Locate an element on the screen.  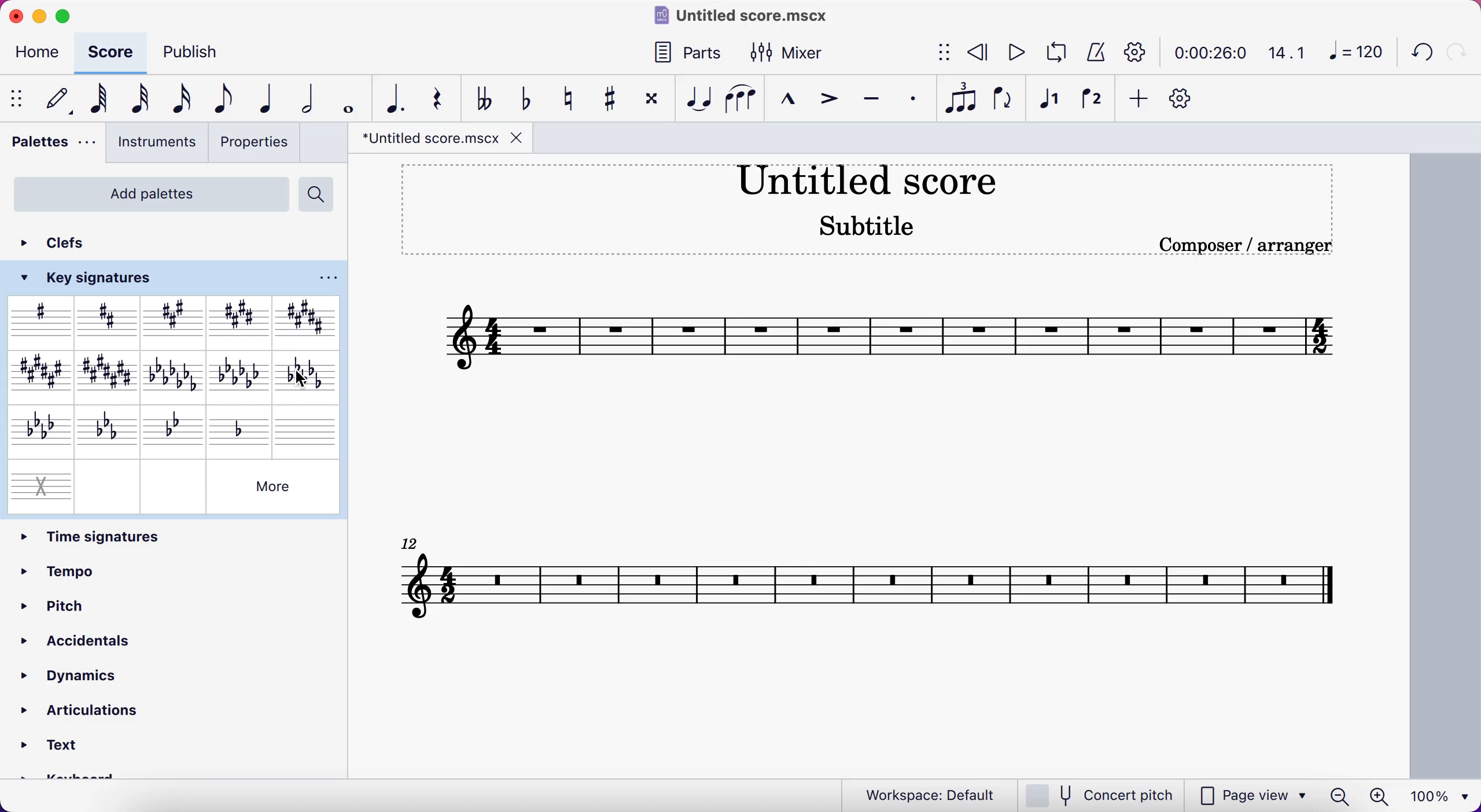
time is located at coordinates (1206, 53).